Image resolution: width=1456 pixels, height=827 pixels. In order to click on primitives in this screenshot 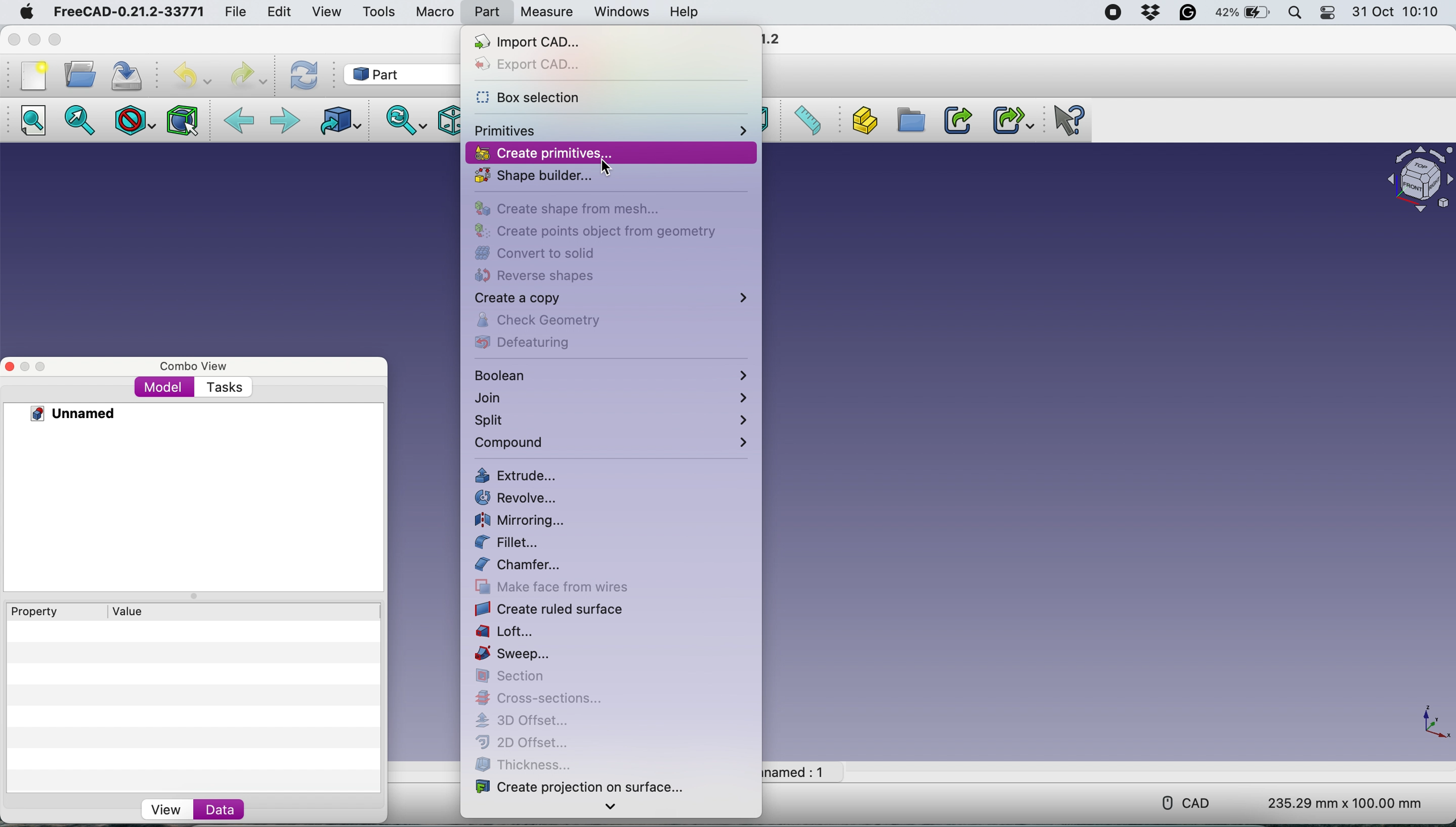, I will do `click(610, 131)`.